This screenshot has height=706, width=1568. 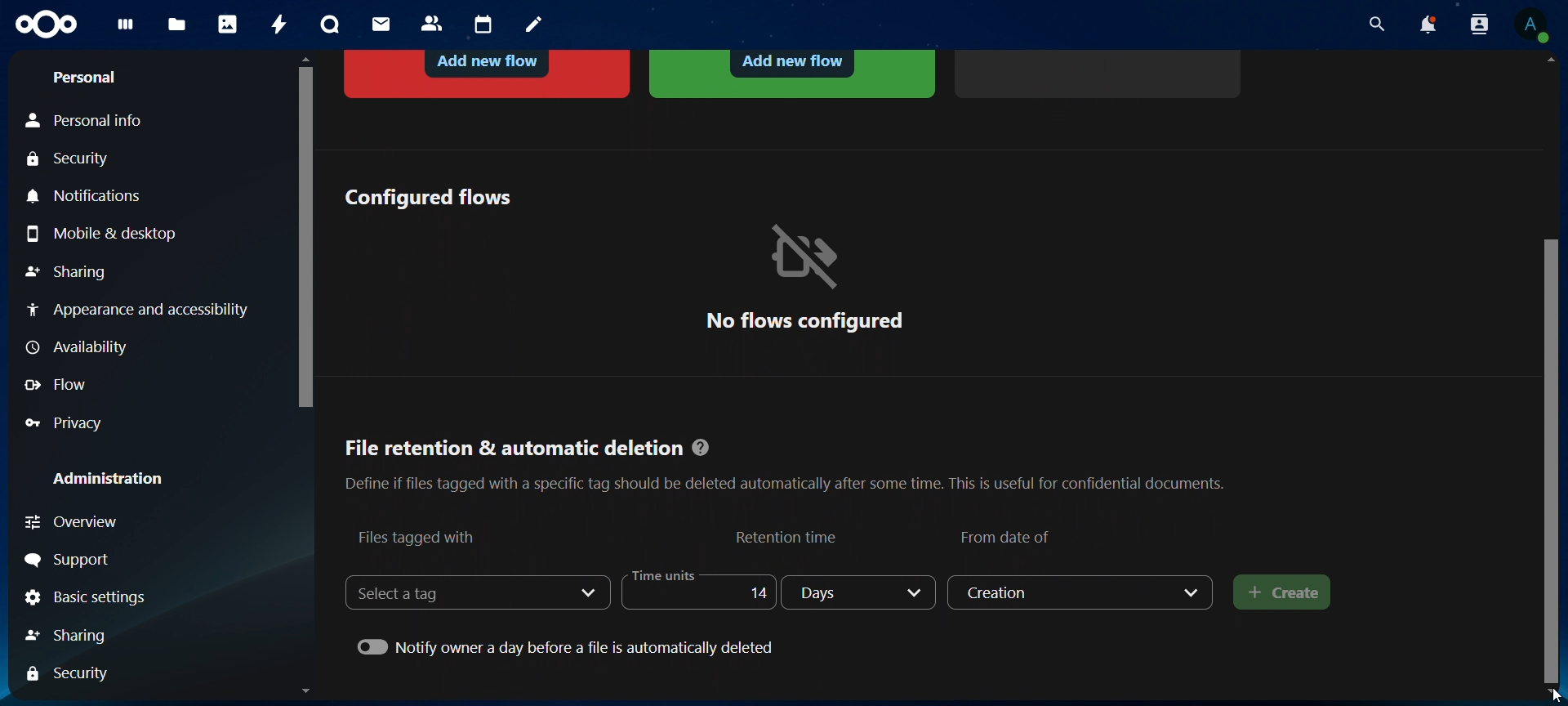 What do you see at coordinates (83, 78) in the screenshot?
I see `personal` at bounding box center [83, 78].